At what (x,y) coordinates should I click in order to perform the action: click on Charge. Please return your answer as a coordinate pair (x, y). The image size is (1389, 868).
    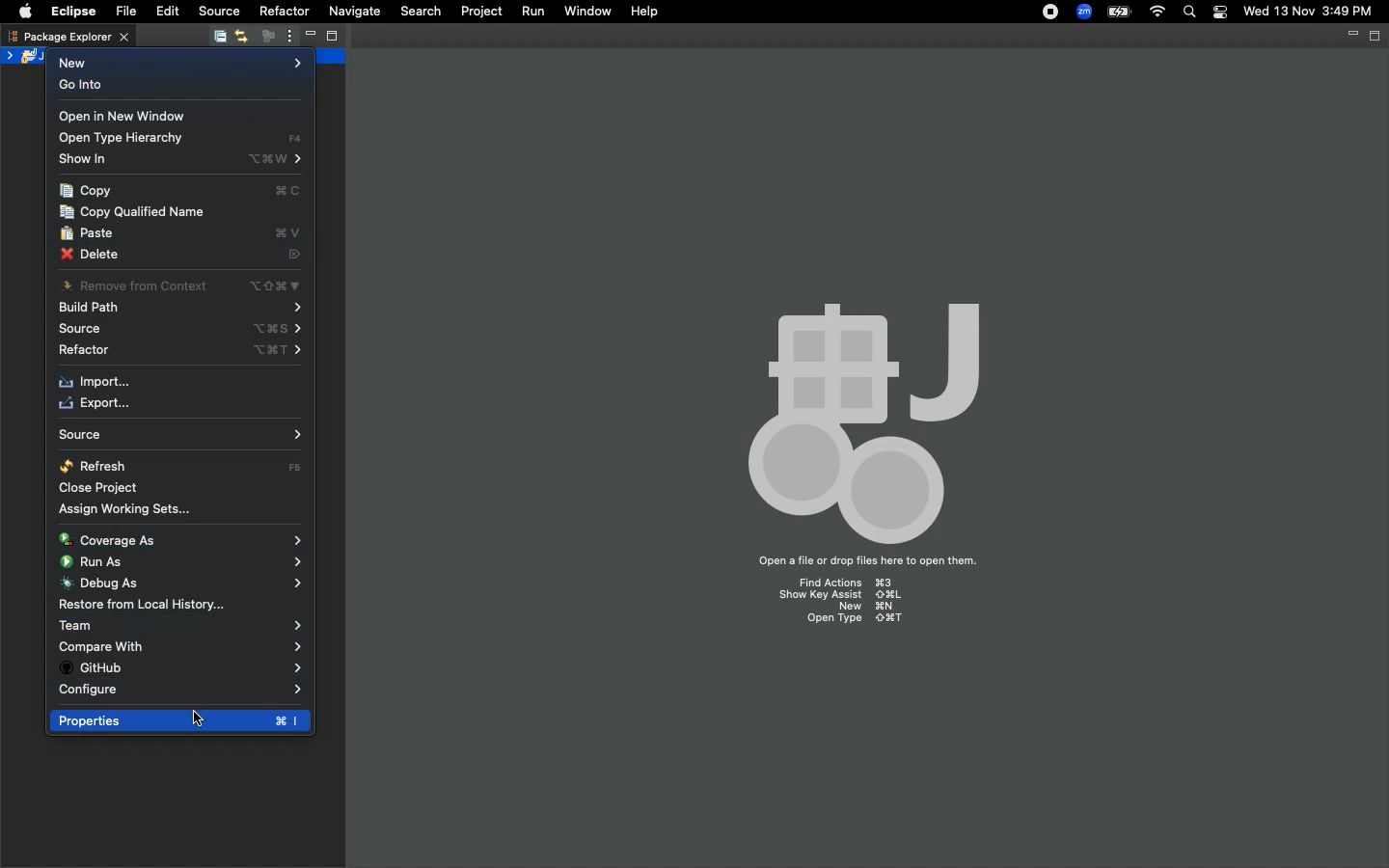
    Looking at the image, I should click on (1119, 12).